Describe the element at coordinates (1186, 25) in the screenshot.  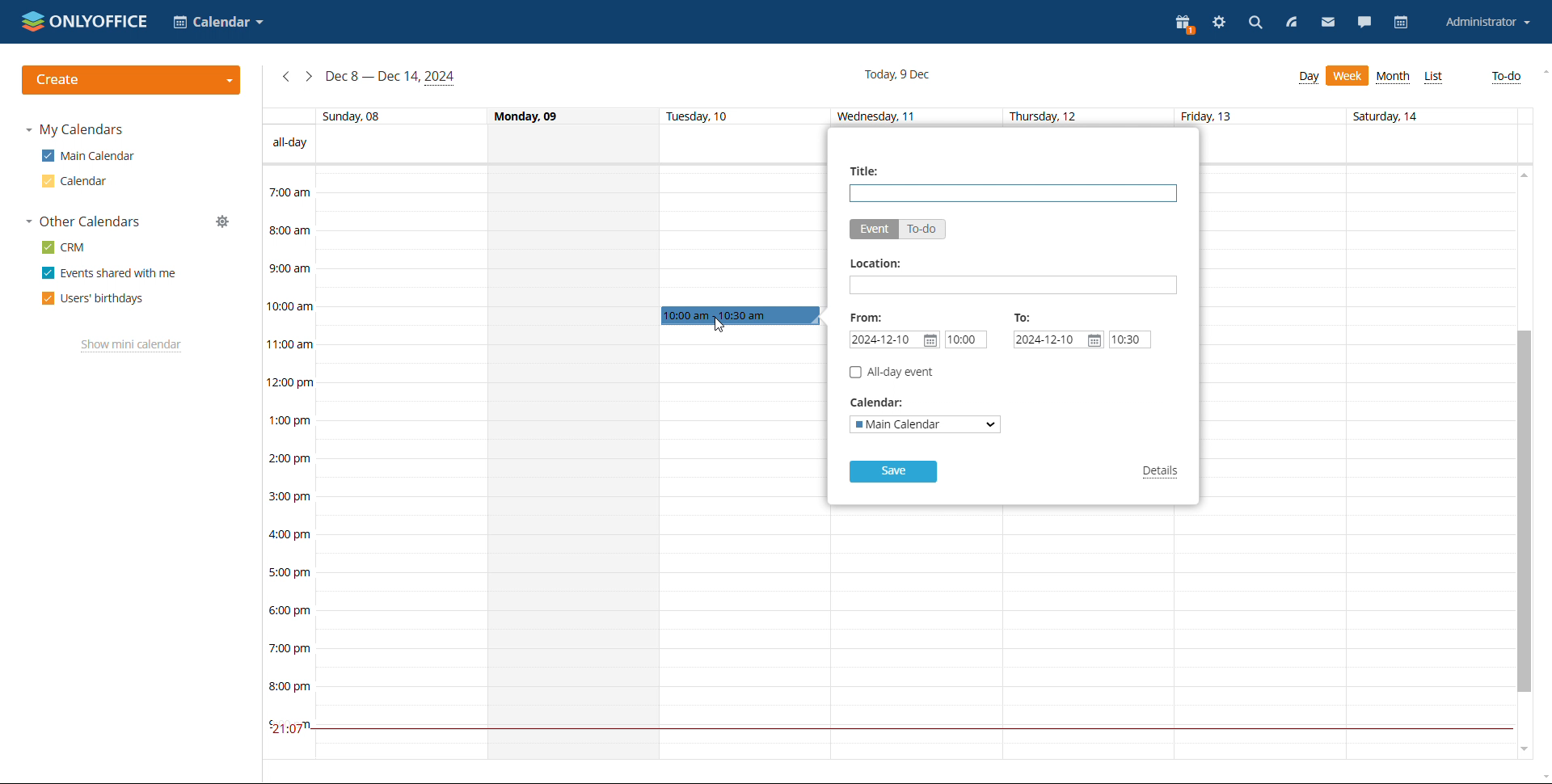
I see `present` at that location.